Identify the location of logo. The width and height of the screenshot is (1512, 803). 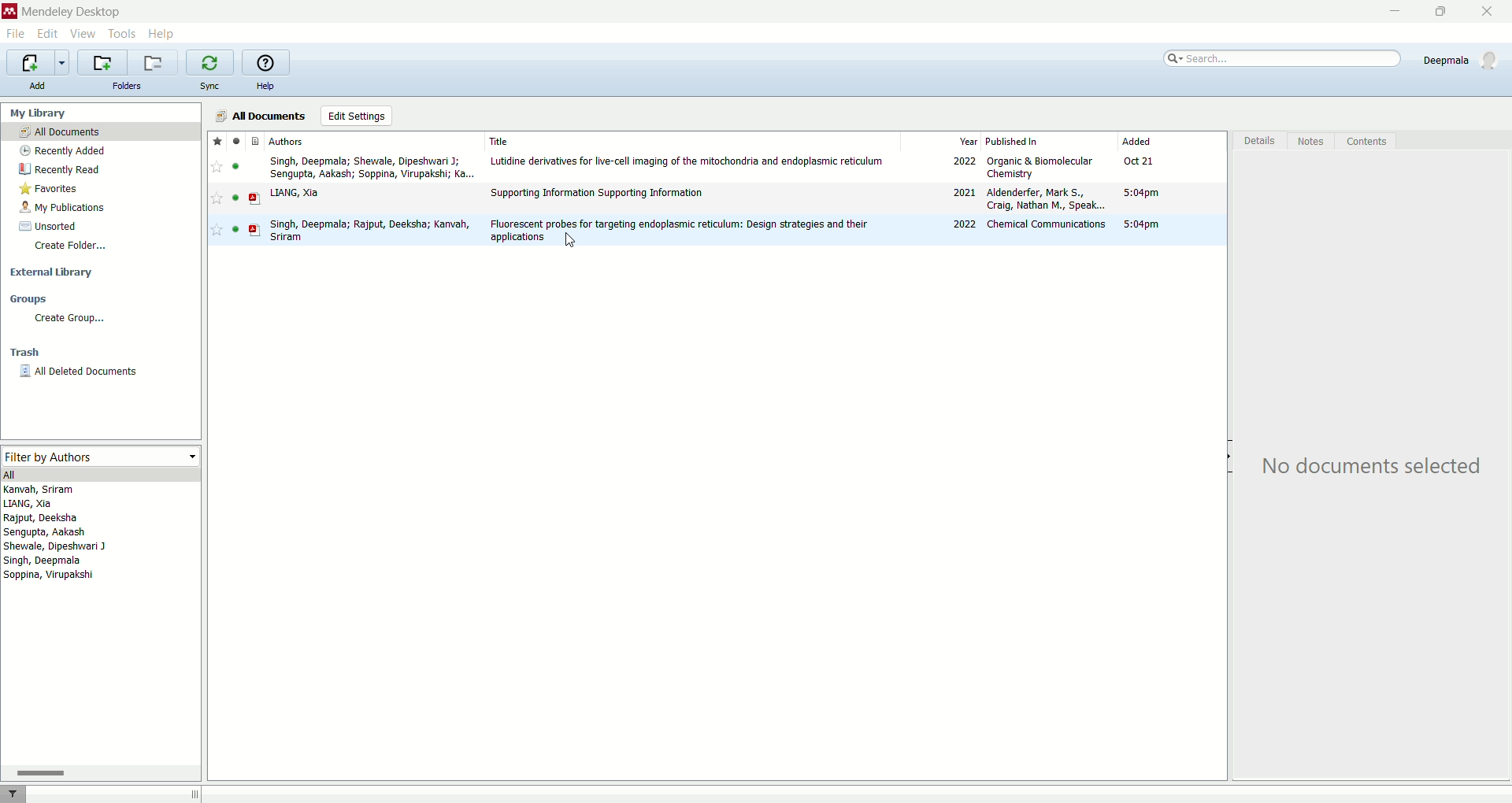
(9, 10).